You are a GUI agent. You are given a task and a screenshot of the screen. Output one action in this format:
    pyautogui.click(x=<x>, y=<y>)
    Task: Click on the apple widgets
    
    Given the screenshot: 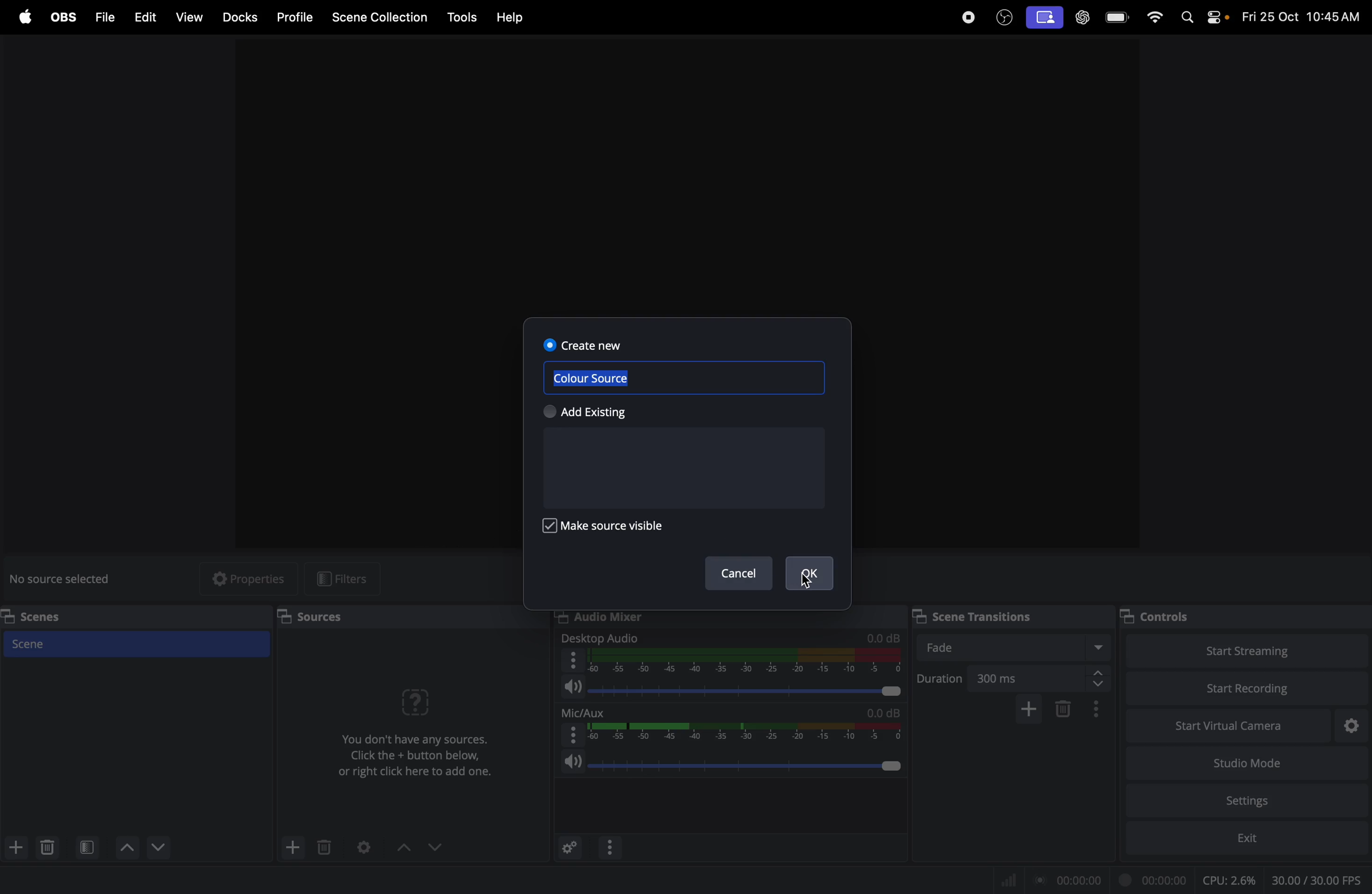 What is the action you would take?
    pyautogui.click(x=1218, y=17)
    